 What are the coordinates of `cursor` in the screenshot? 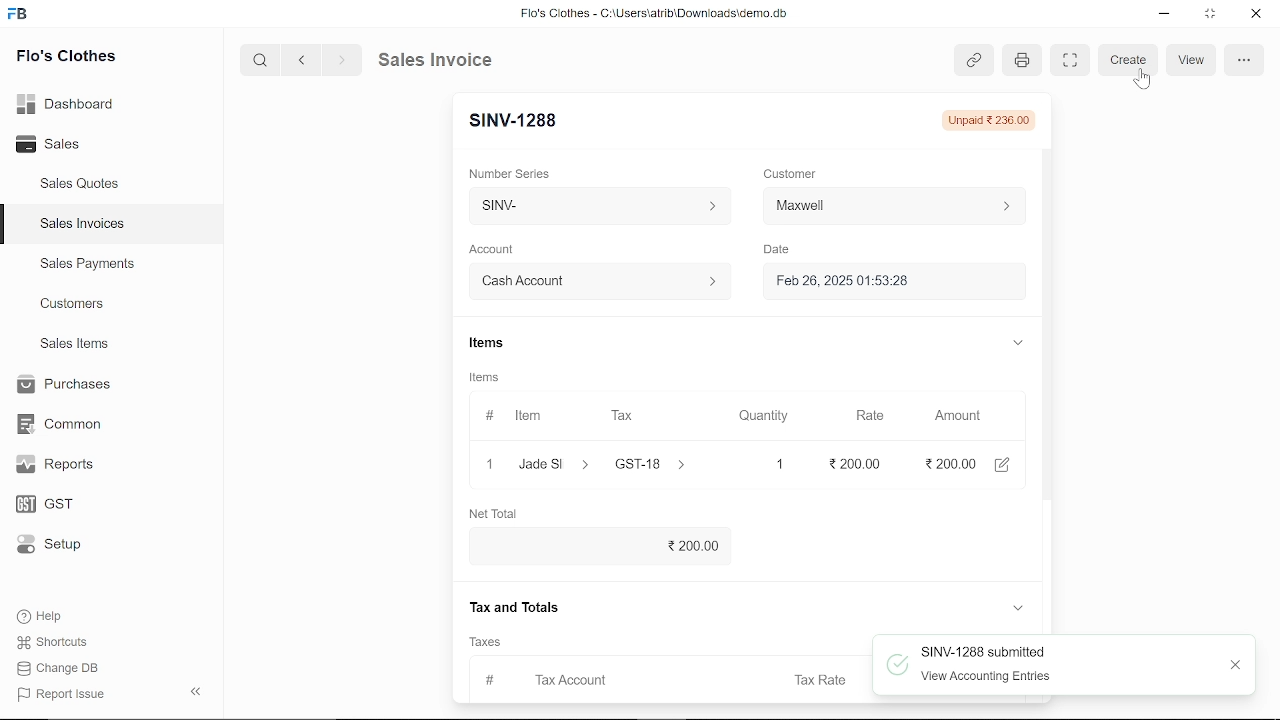 It's located at (1144, 79).